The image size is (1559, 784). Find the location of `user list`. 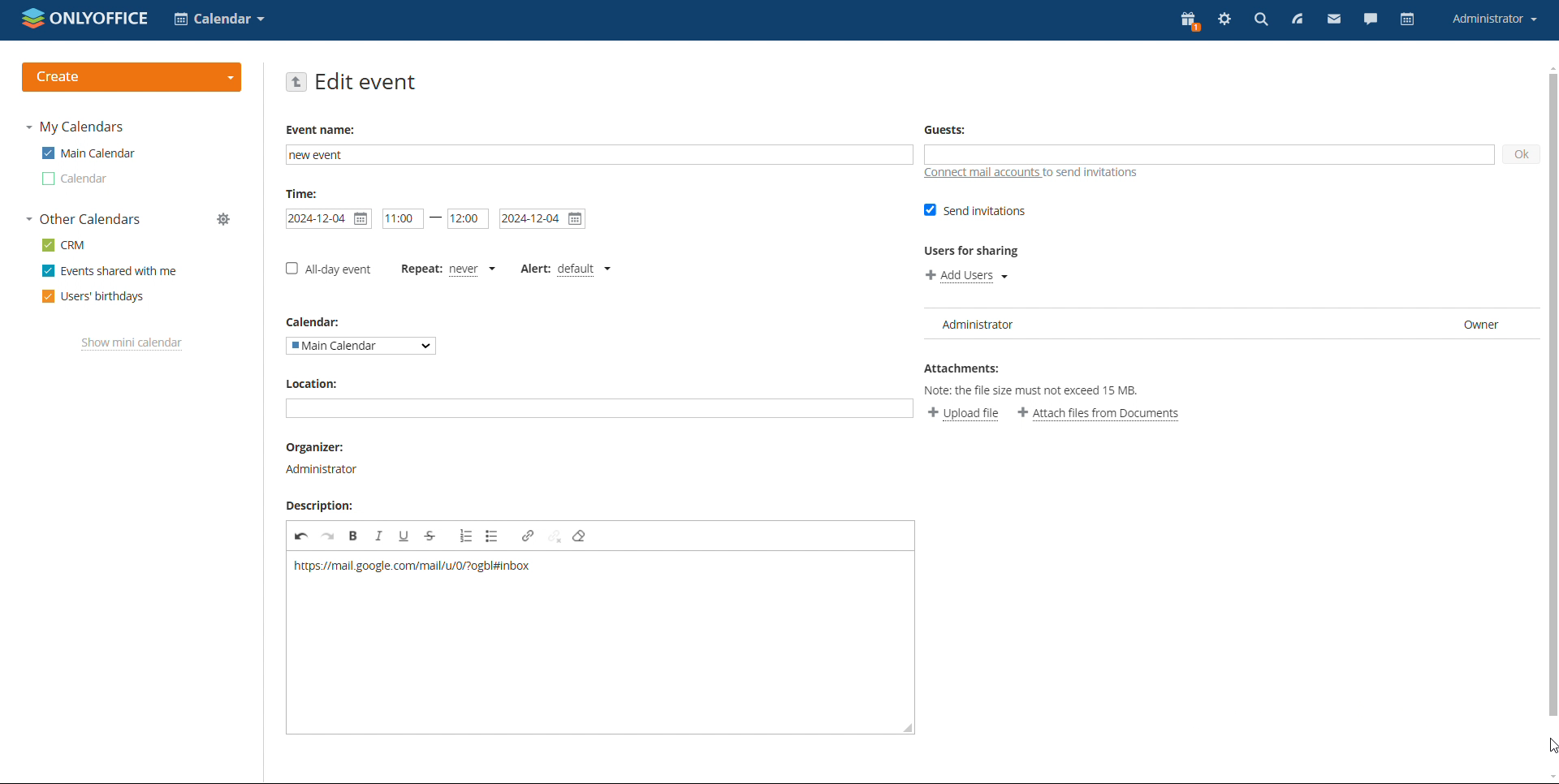

user list is located at coordinates (1226, 323).